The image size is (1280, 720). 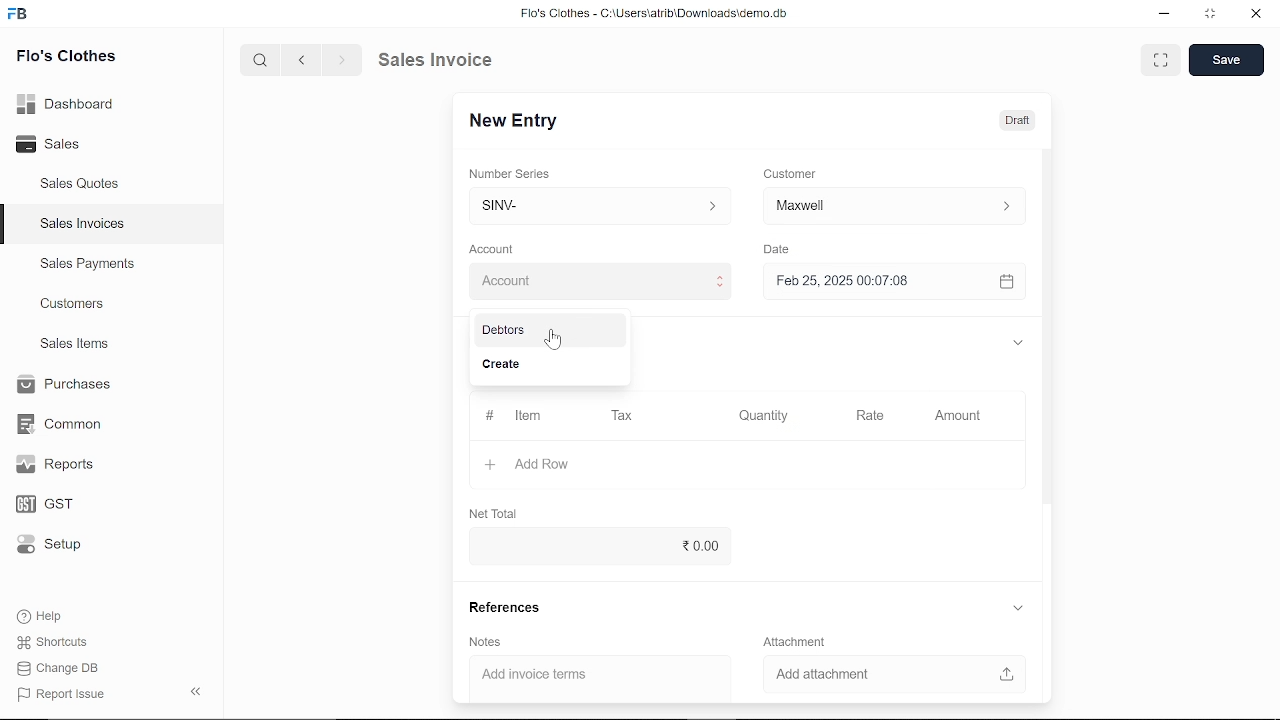 I want to click on close, so click(x=1254, y=14).